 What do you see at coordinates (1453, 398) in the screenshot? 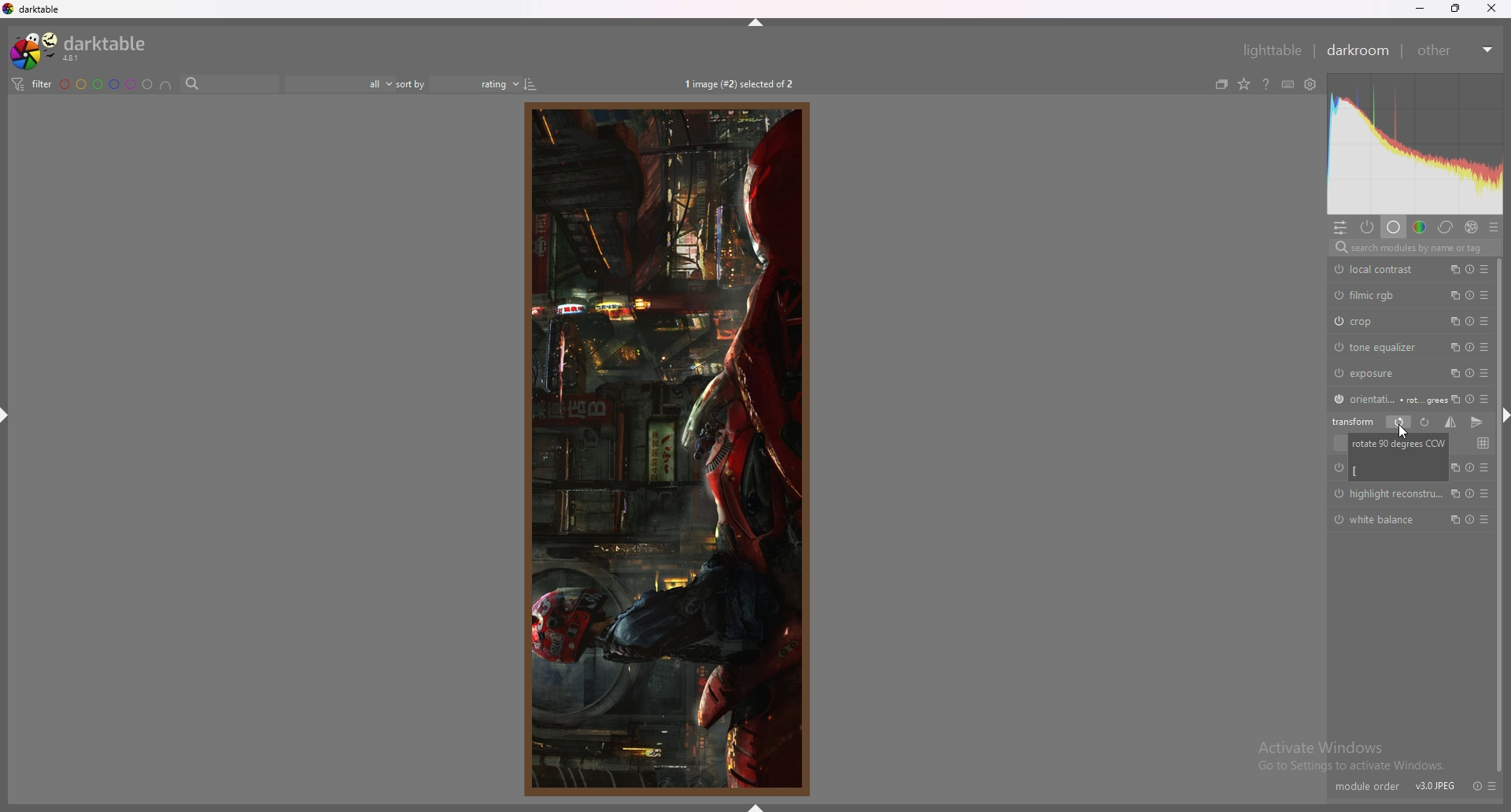
I see `multiple instances action` at bounding box center [1453, 398].